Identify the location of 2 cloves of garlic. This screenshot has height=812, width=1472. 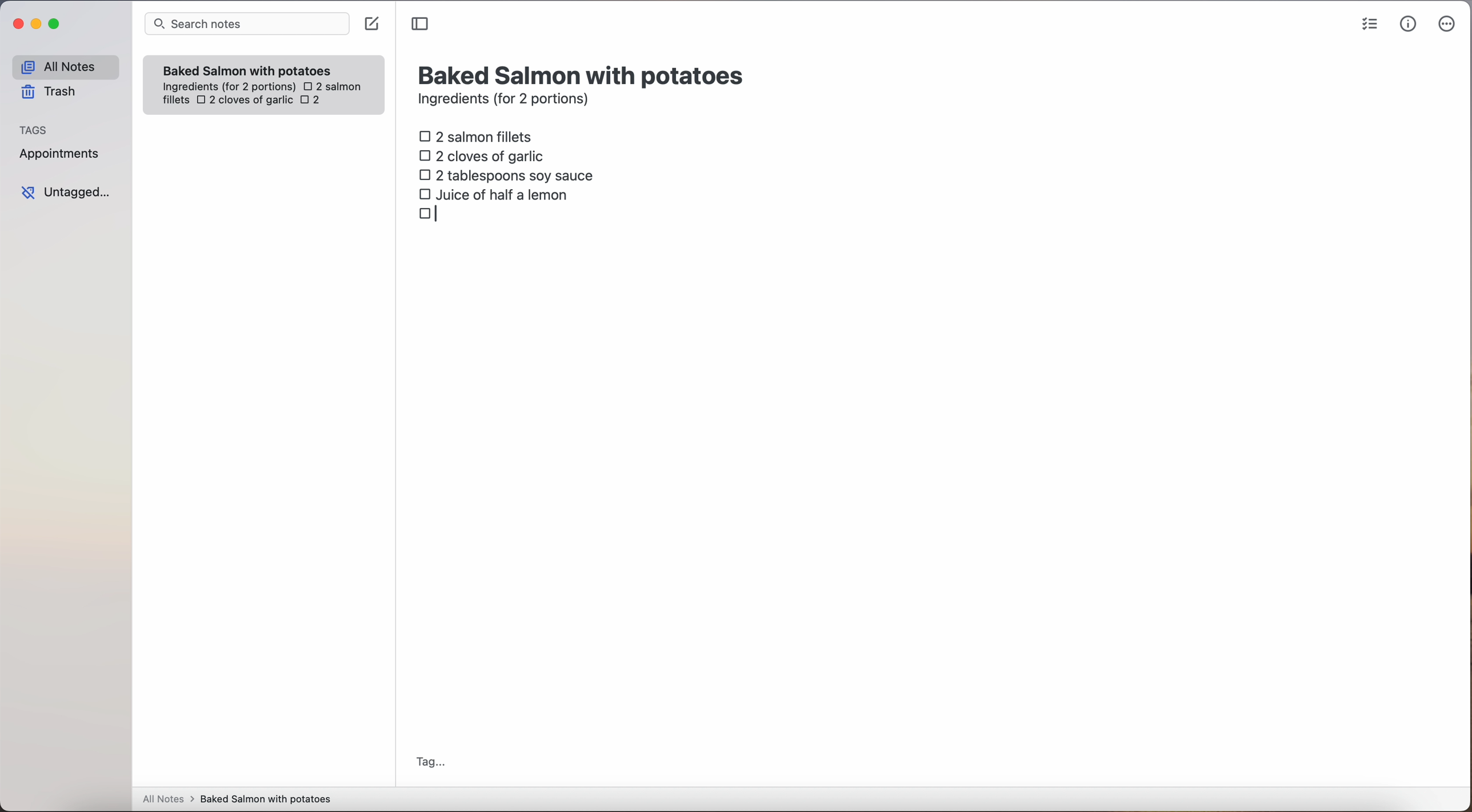
(485, 154).